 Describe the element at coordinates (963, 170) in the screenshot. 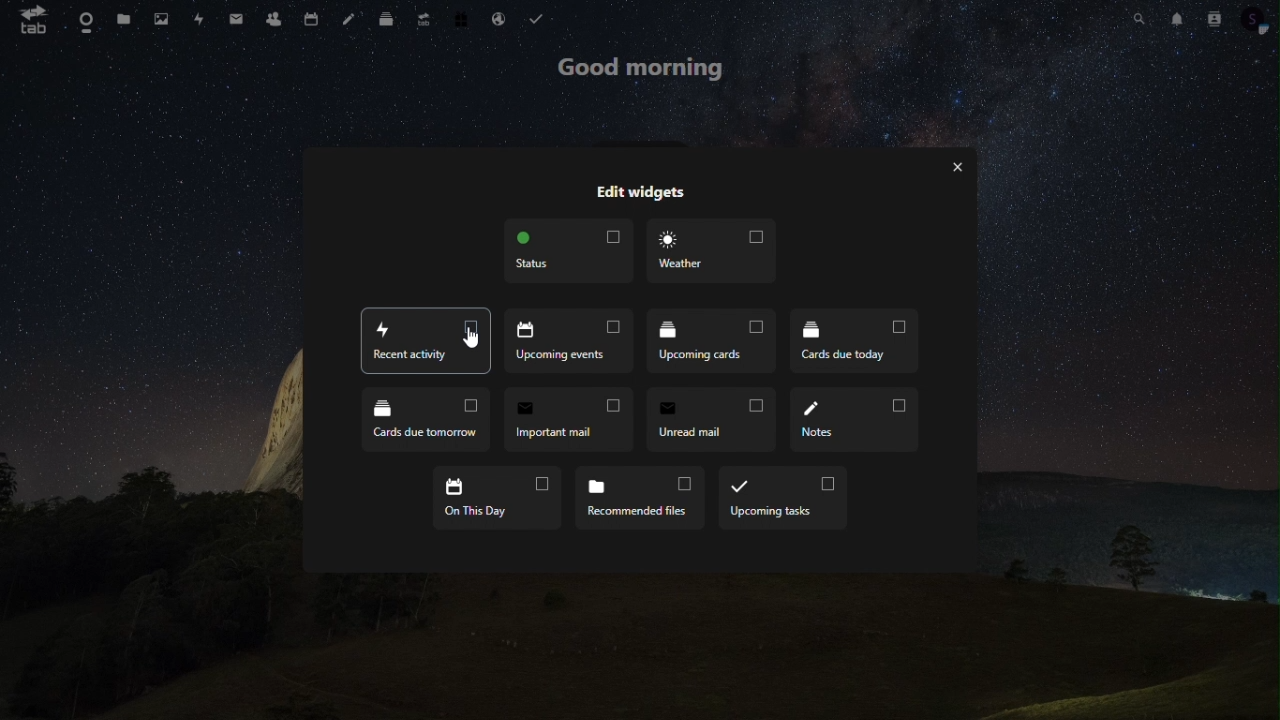

I see `exit` at that location.